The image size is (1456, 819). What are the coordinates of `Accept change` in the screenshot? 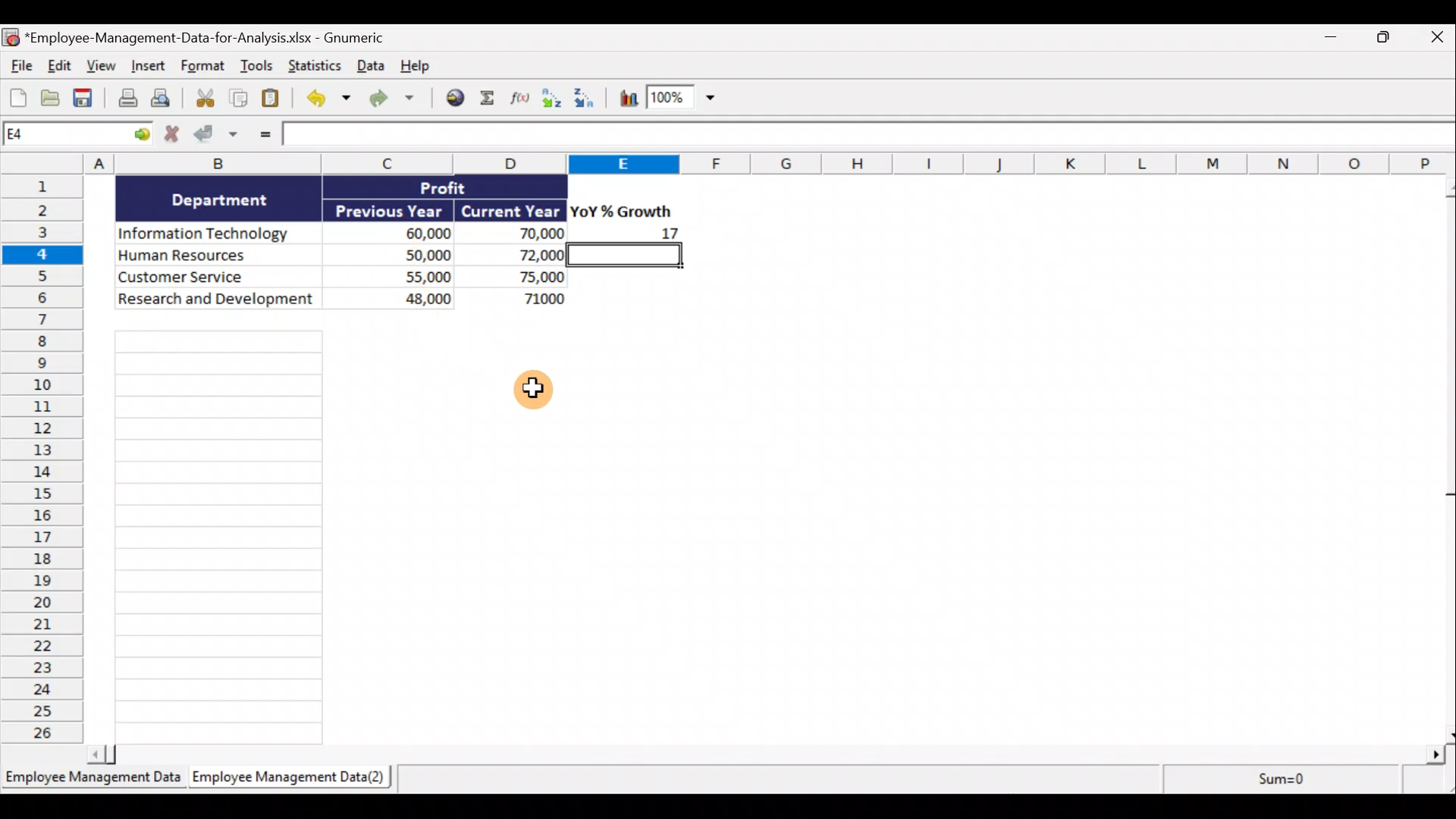 It's located at (221, 137).